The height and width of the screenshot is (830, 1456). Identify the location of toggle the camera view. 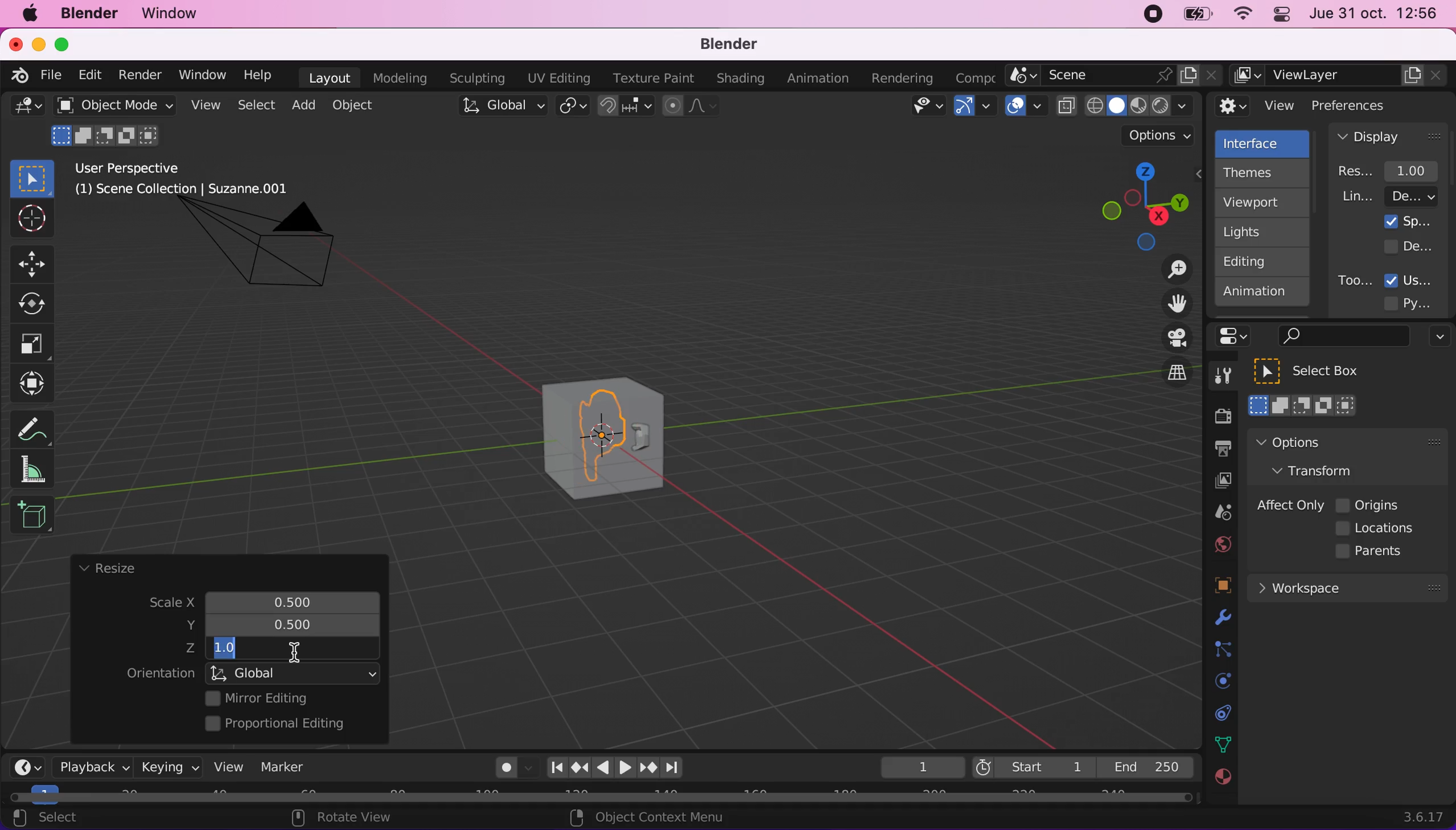
(1169, 339).